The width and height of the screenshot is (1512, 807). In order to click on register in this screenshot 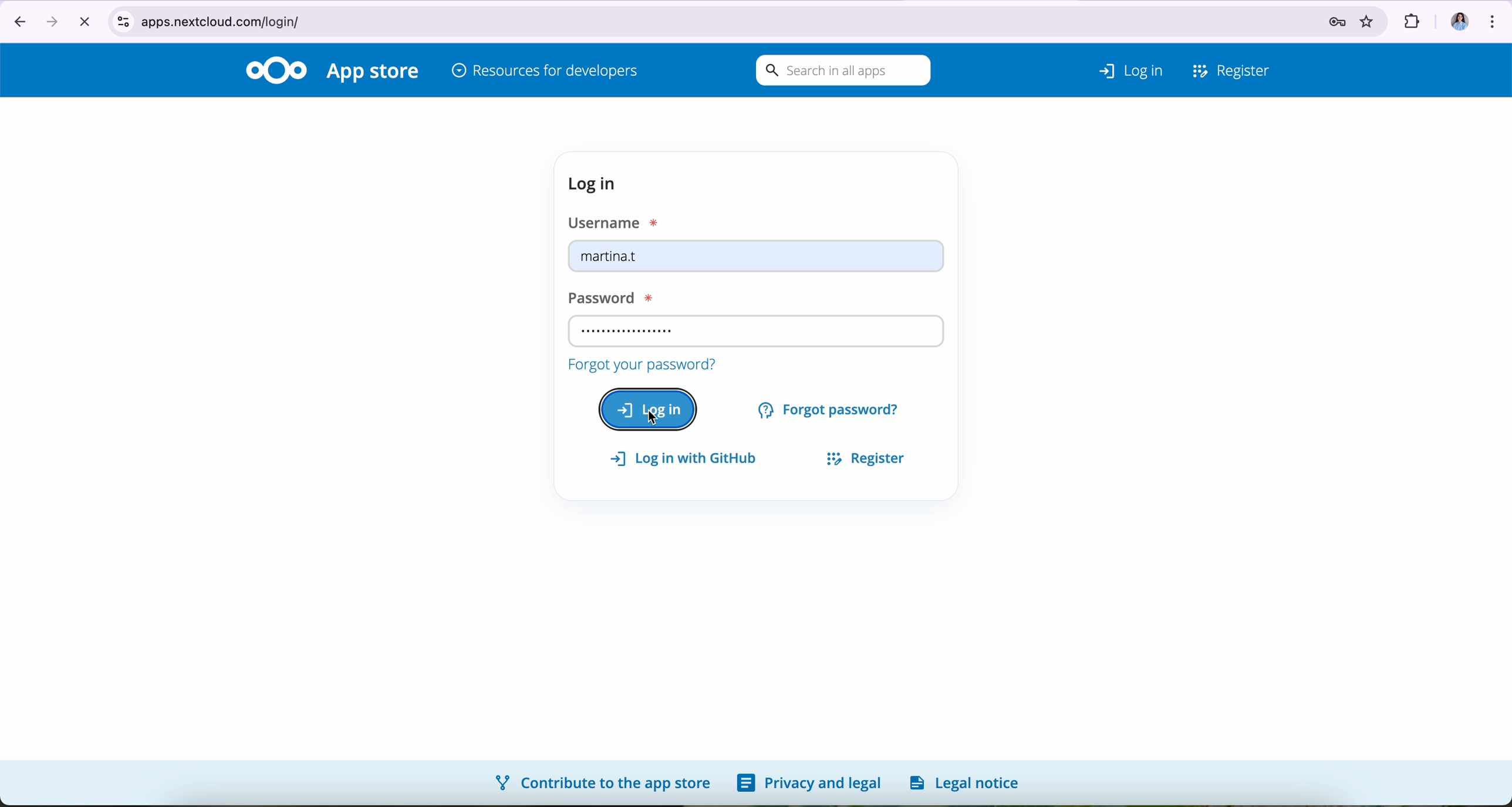, I will do `click(860, 456)`.